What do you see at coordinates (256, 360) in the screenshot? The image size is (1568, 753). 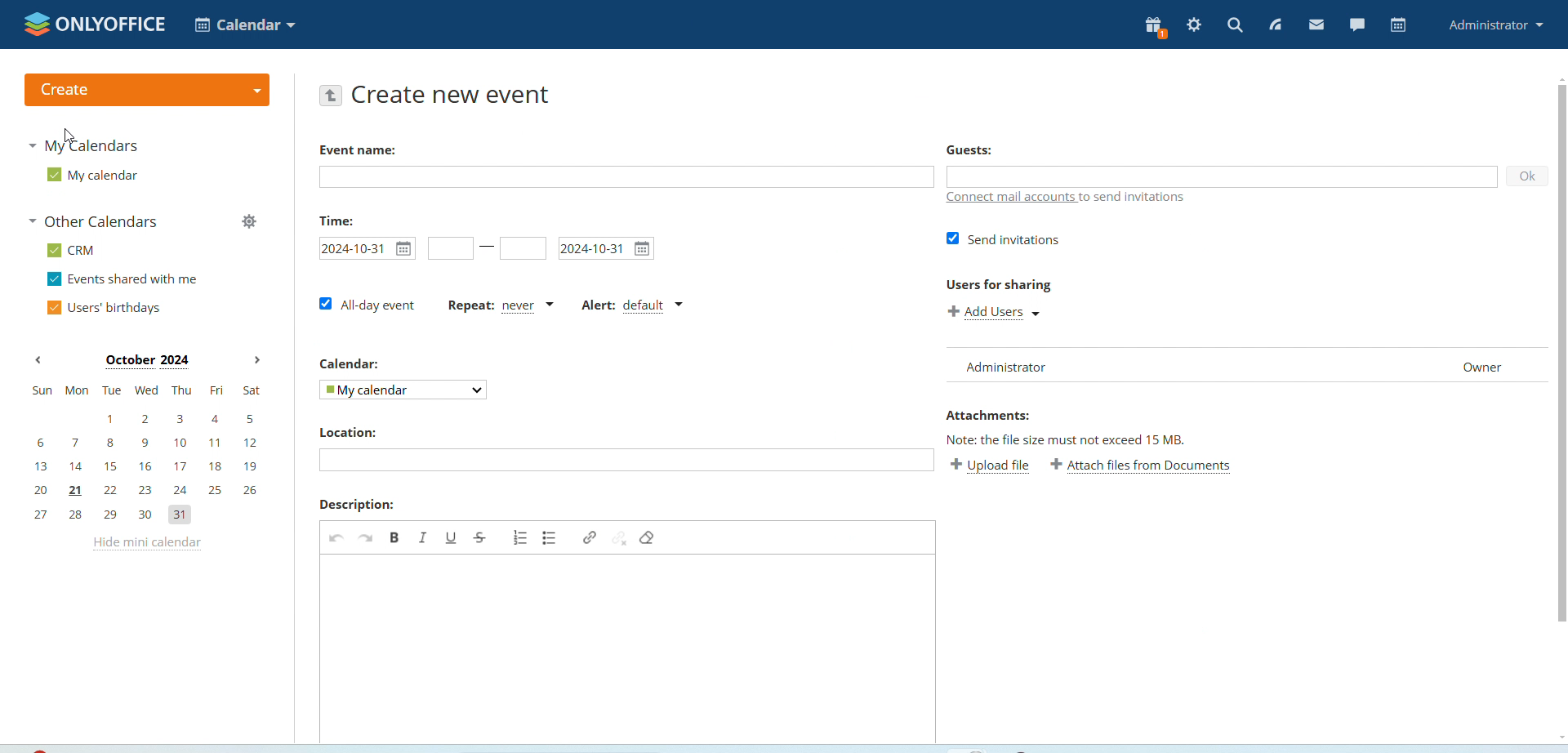 I see `next month` at bounding box center [256, 360].